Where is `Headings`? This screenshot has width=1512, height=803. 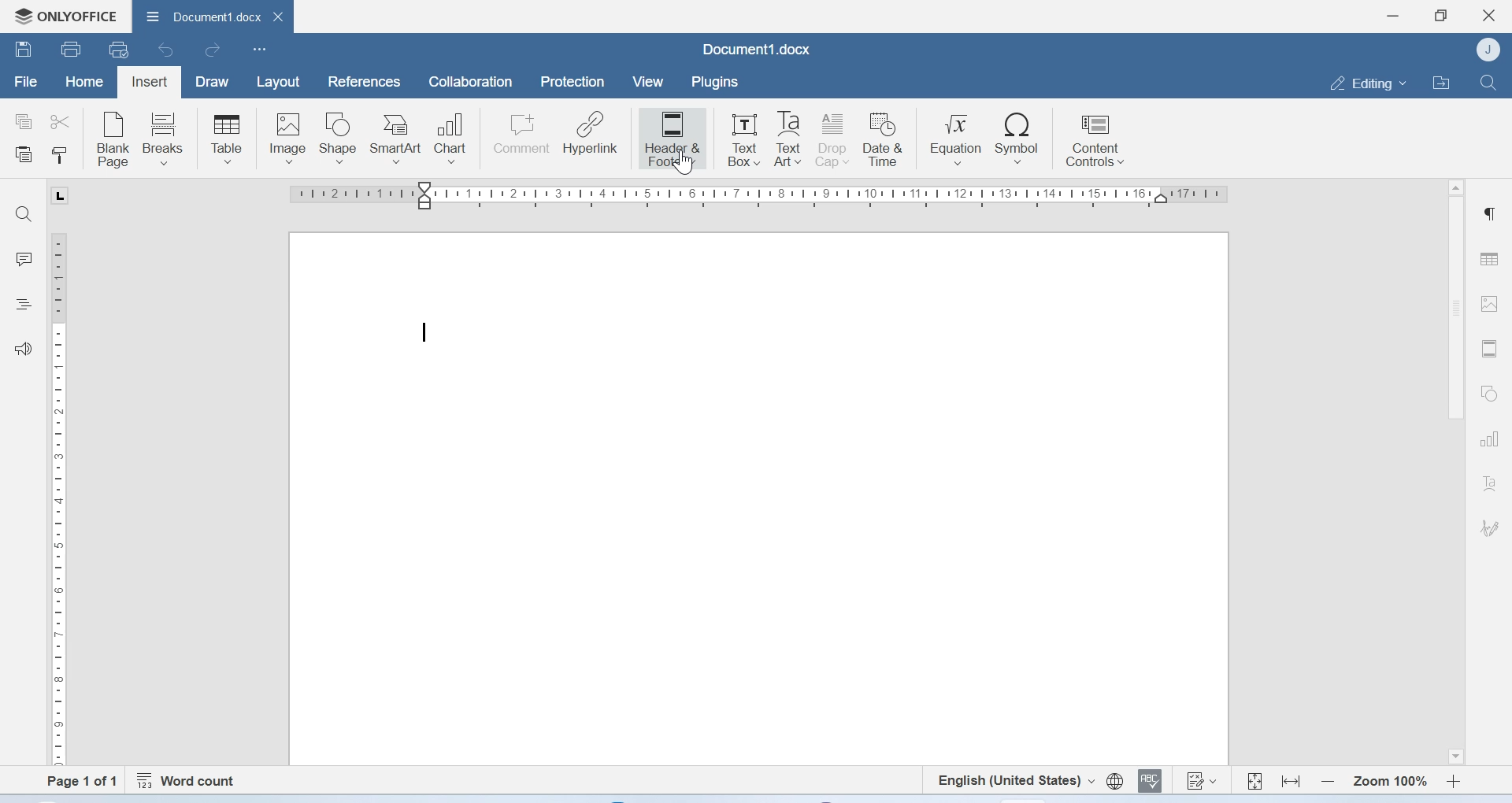
Headings is located at coordinates (26, 303).